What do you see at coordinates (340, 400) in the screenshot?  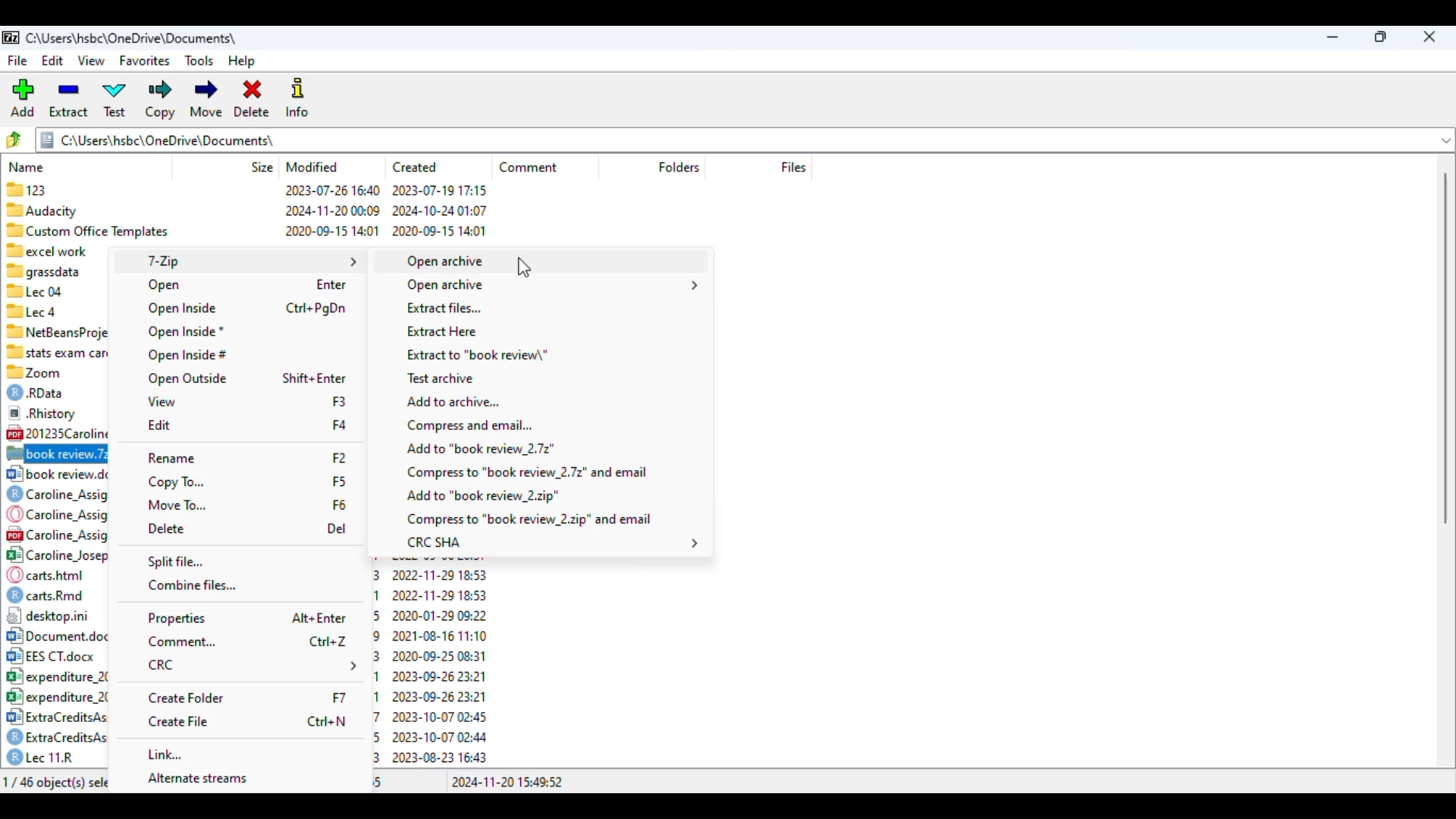 I see `shortcut for edit` at bounding box center [340, 400].